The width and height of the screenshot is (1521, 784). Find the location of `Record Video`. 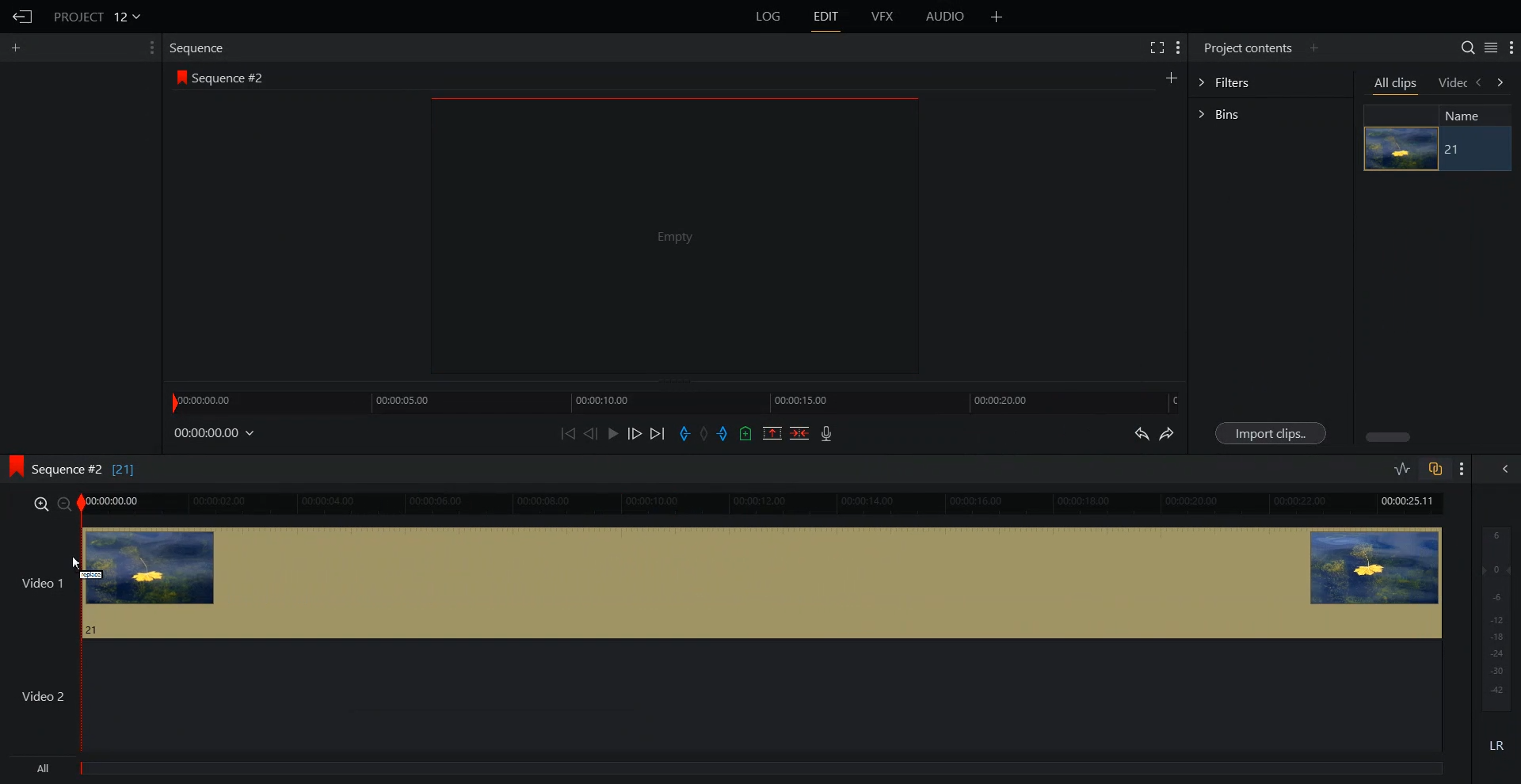

Record Video is located at coordinates (827, 433).